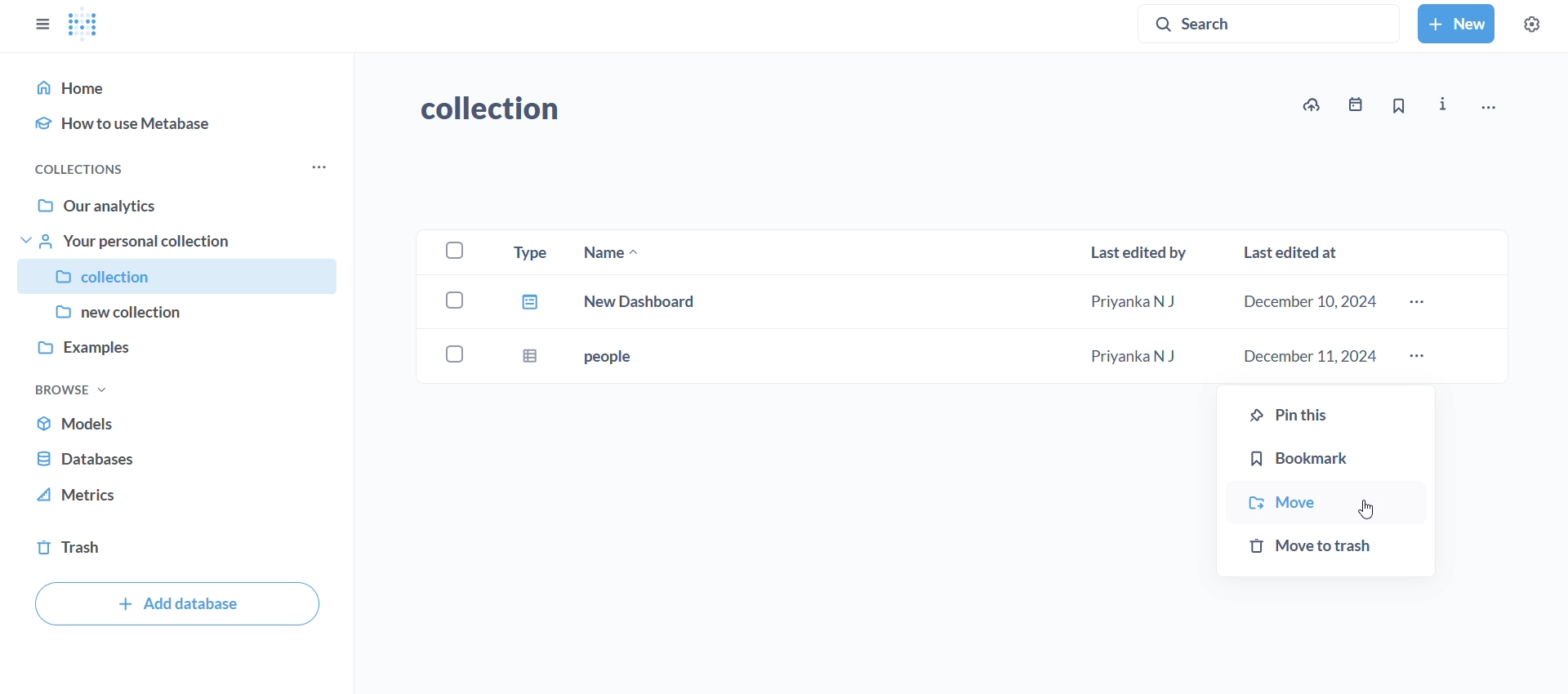 The height and width of the screenshot is (694, 1568). What do you see at coordinates (178, 313) in the screenshot?
I see `new collection` at bounding box center [178, 313].